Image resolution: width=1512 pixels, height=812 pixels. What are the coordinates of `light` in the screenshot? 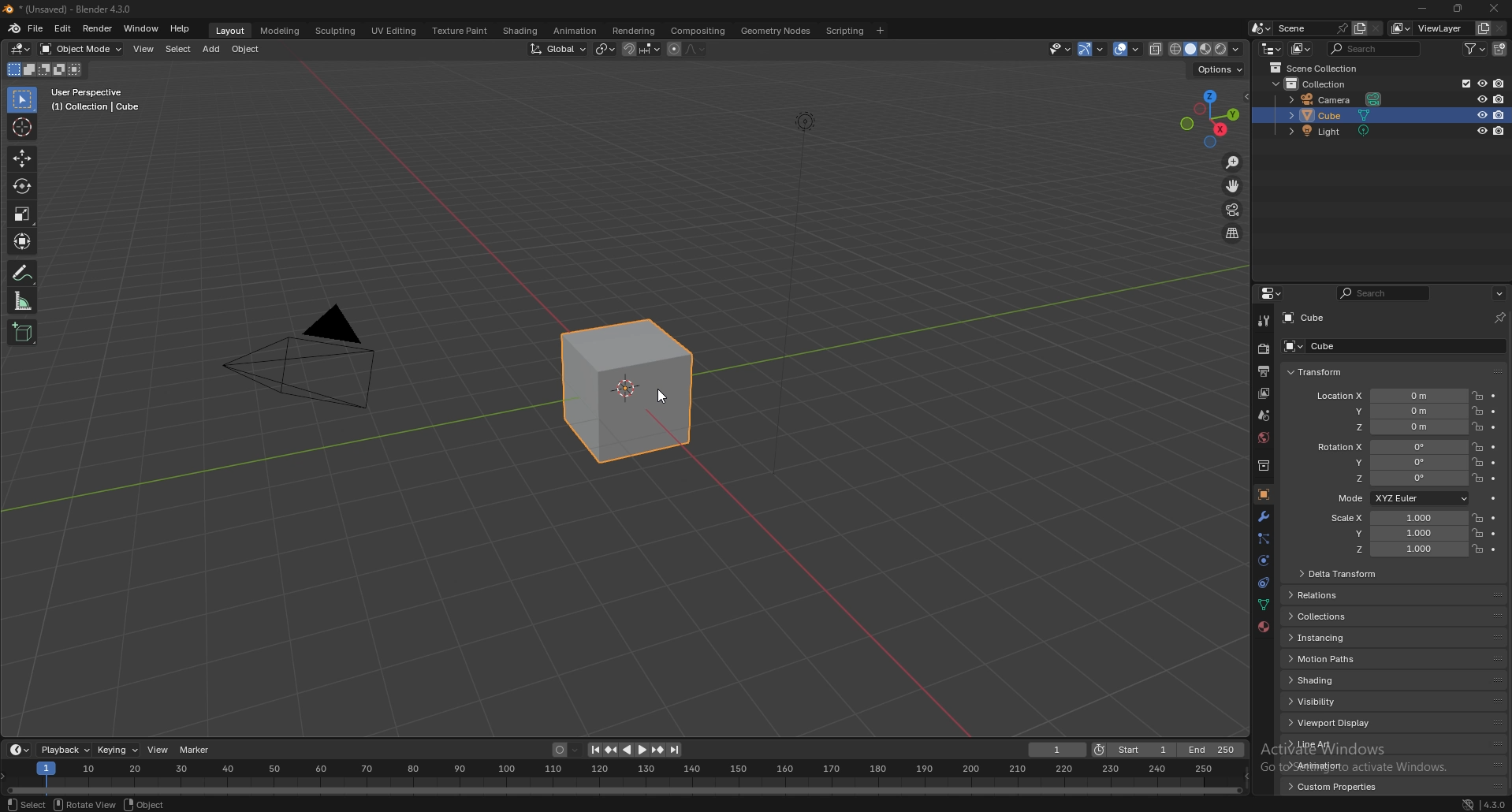 It's located at (1342, 131).